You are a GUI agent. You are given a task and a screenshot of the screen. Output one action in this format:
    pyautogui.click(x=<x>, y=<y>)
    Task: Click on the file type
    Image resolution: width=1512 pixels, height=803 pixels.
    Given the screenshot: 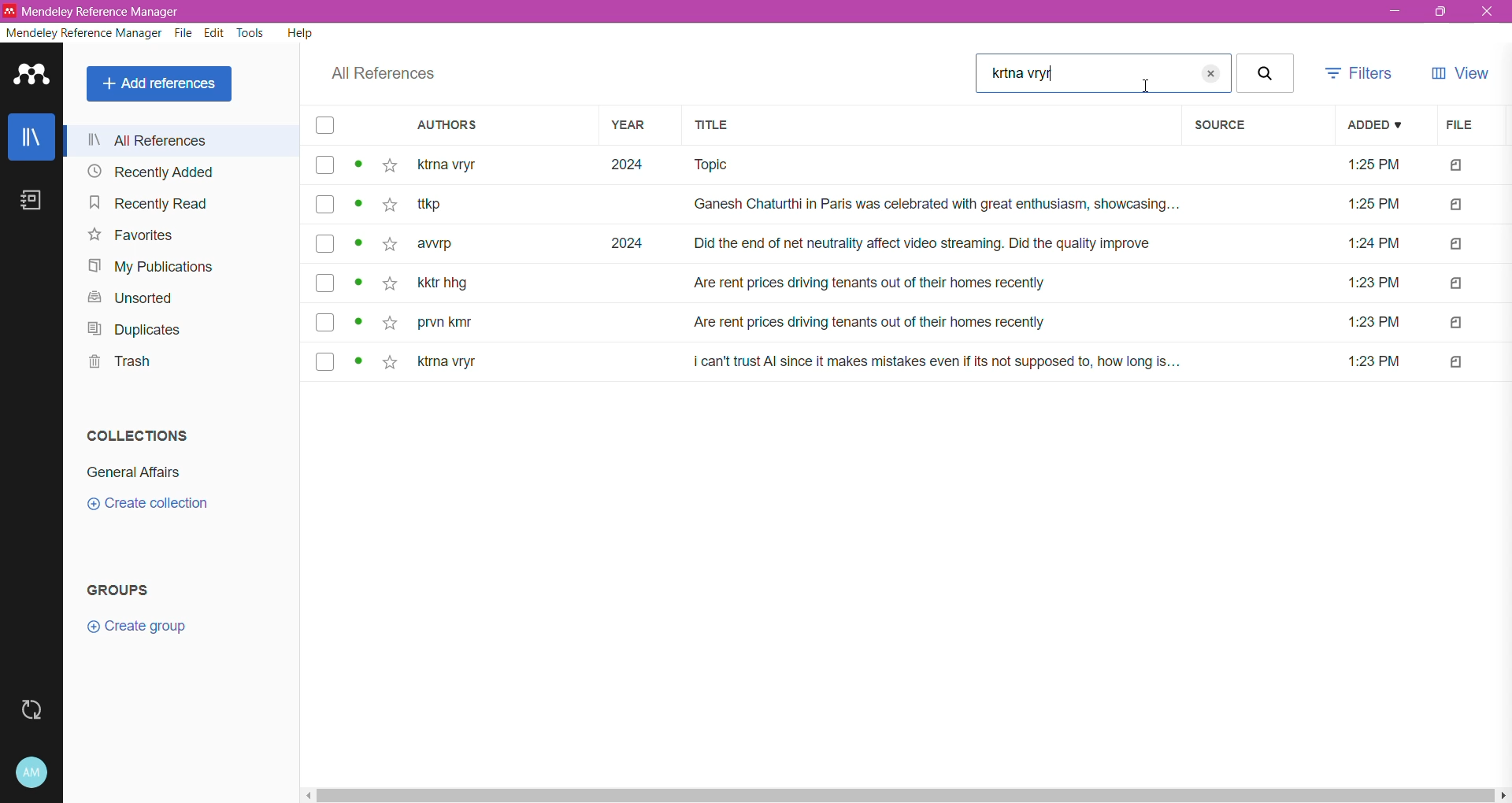 What is the action you would take?
    pyautogui.click(x=1457, y=244)
    